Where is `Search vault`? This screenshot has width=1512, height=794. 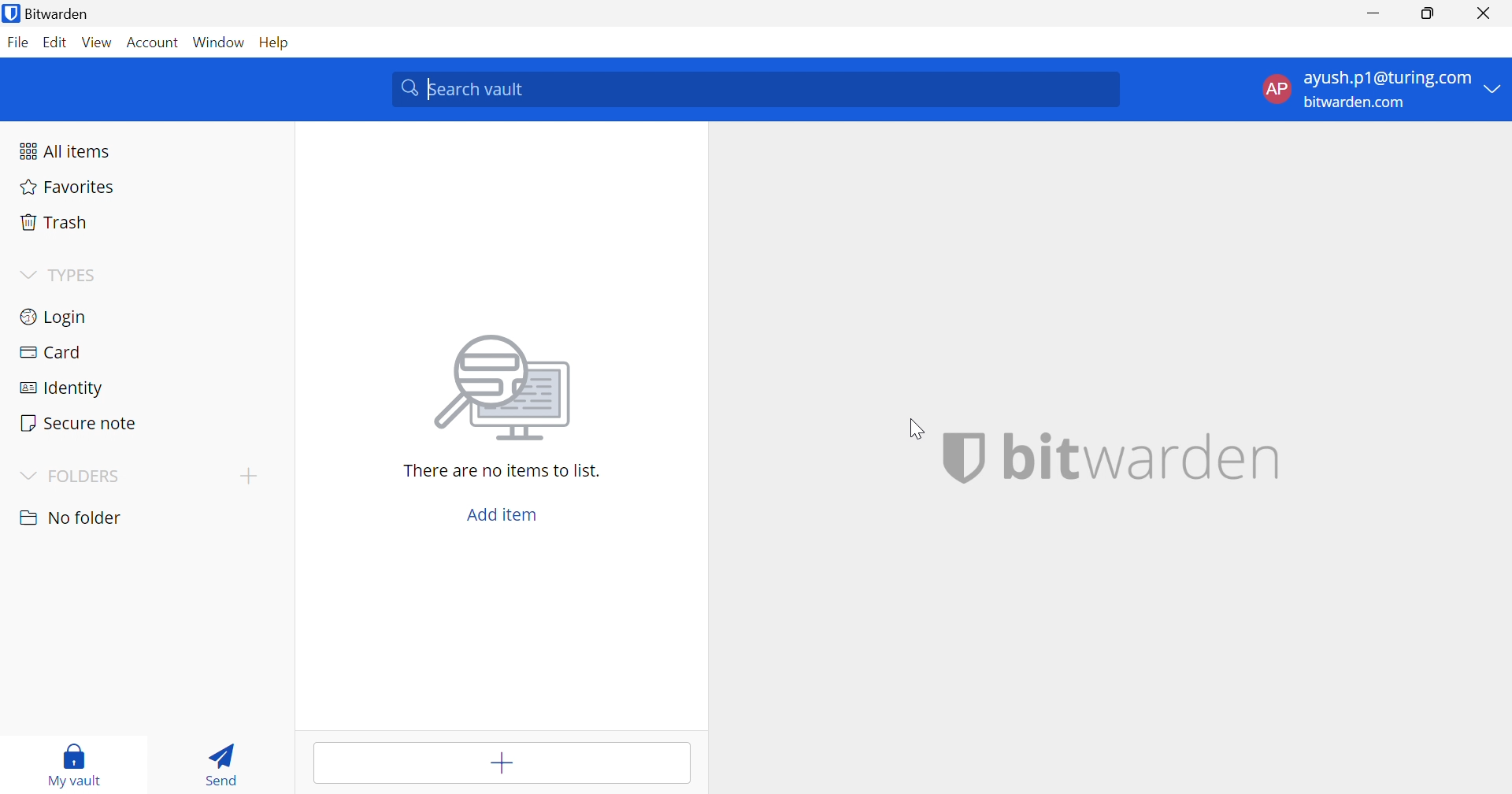 Search vault is located at coordinates (757, 87).